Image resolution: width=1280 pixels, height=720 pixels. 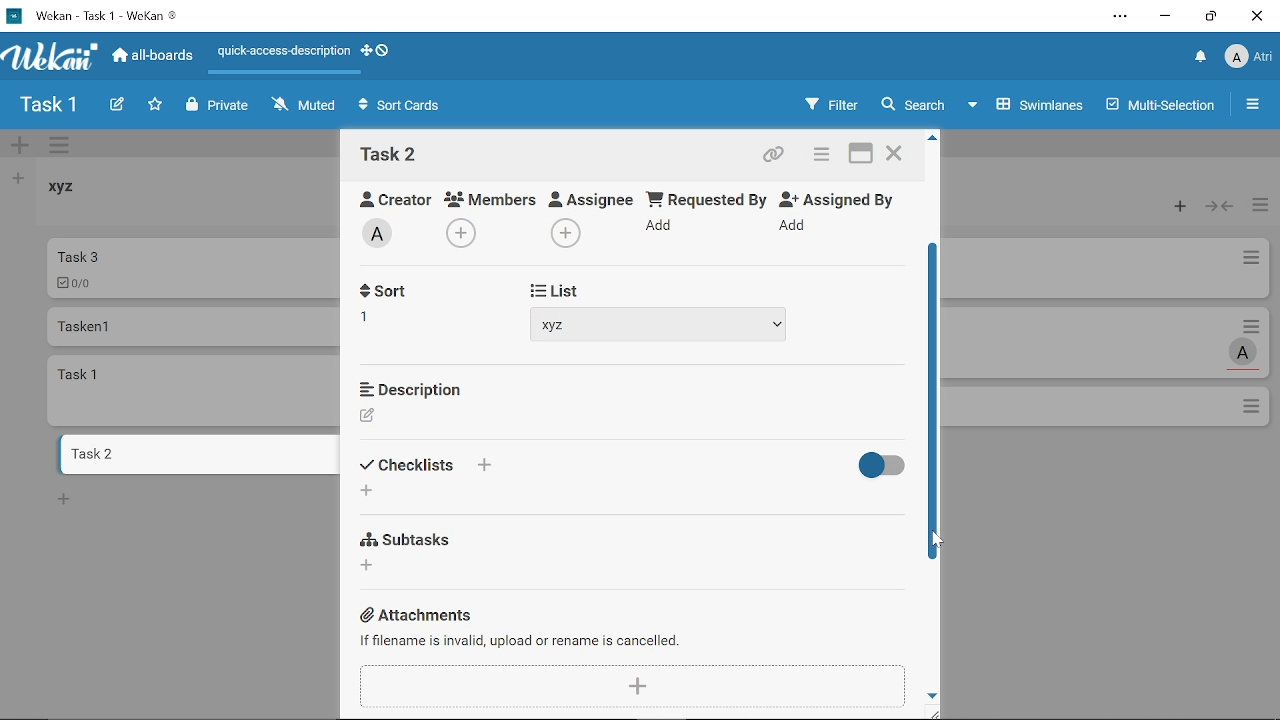 What do you see at coordinates (48, 105) in the screenshot?
I see `Board name` at bounding box center [48, 105].